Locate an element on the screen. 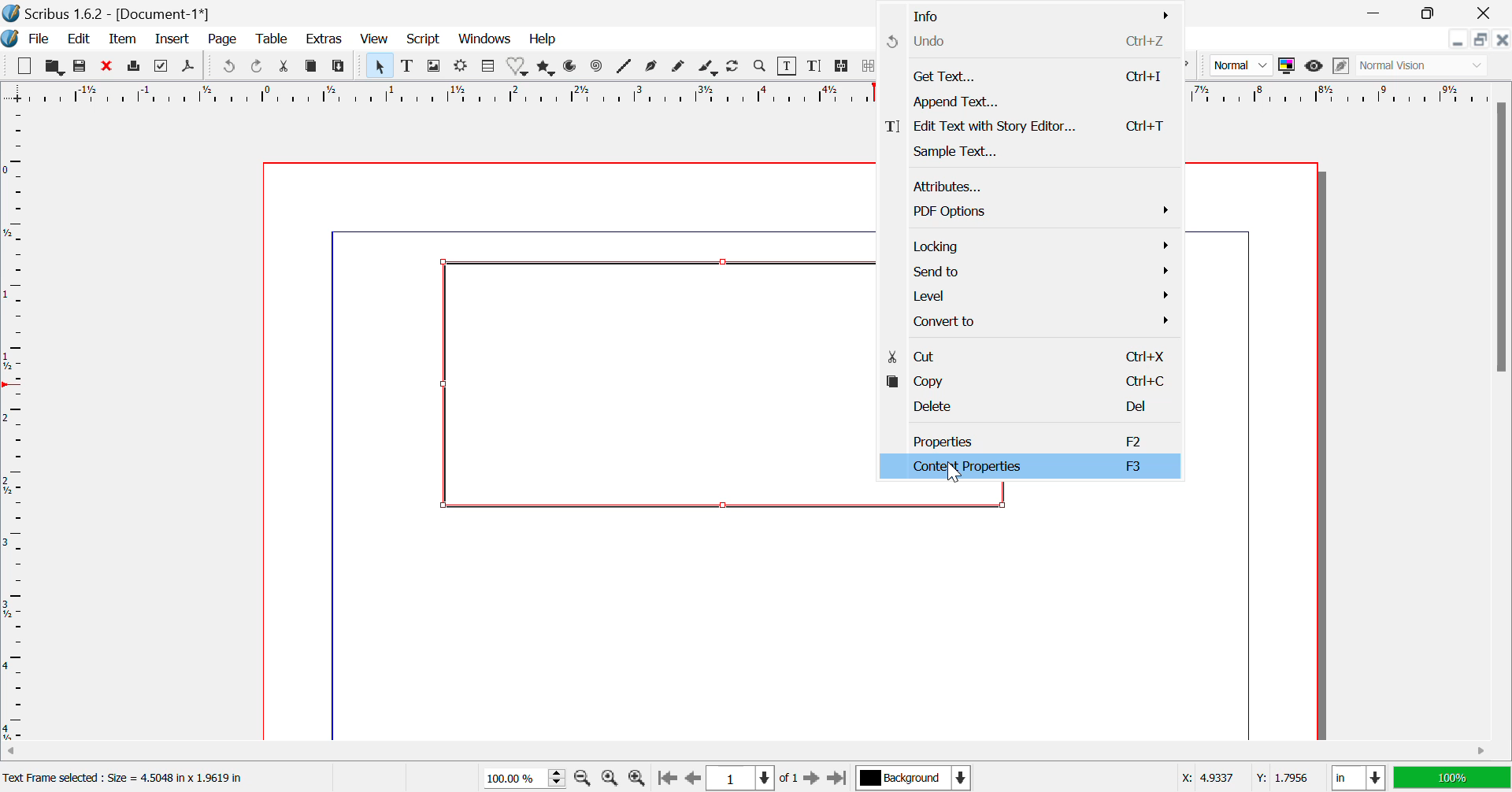 The height and width of the screenshot is (792, 1512). Paste is located at coordinates (339, 68).